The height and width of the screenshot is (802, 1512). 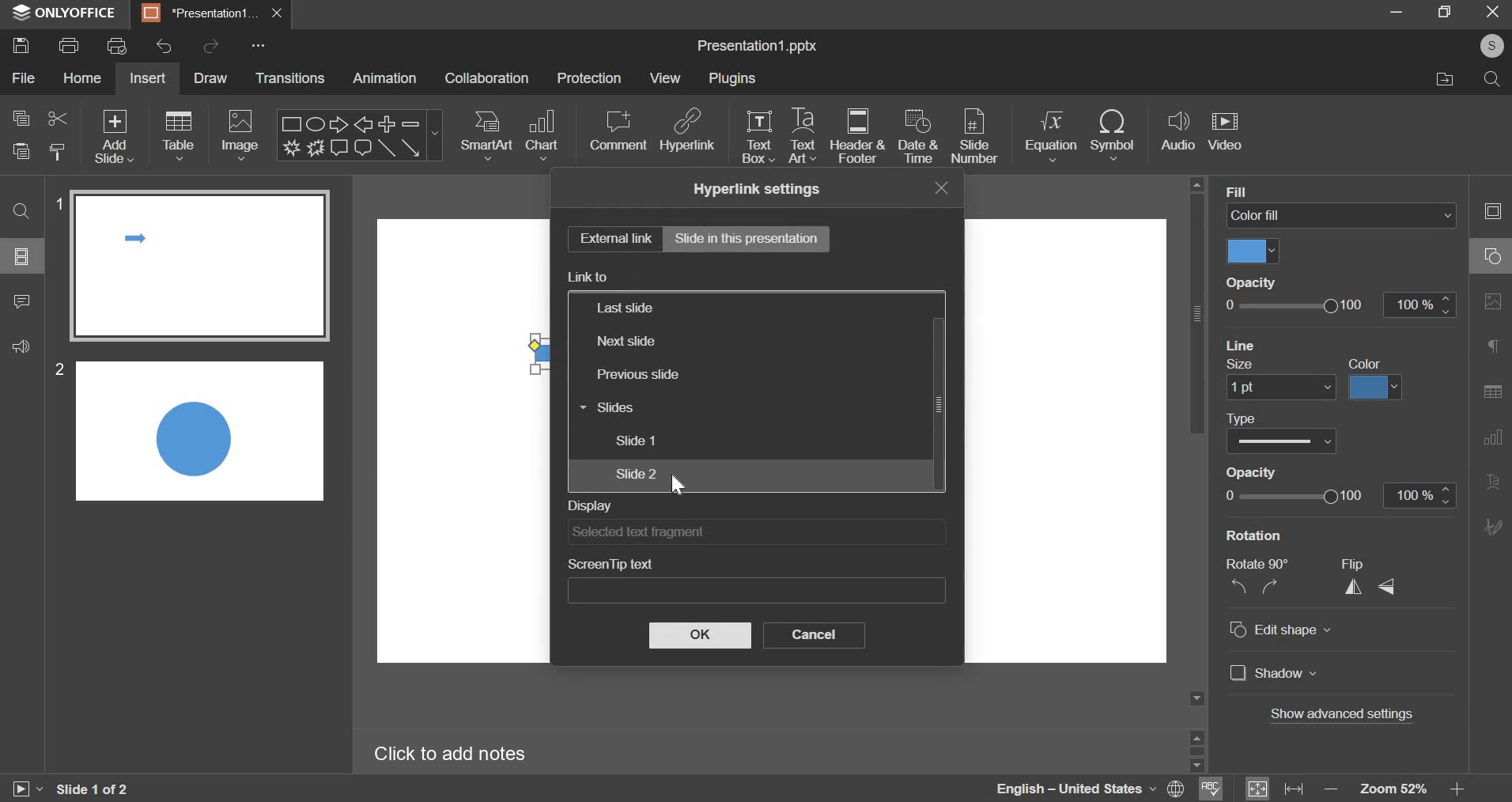 What do you see at coordinates (1387, 588) in the screenshot?
I see `flip vertically` at bounding box center [1387, 588].